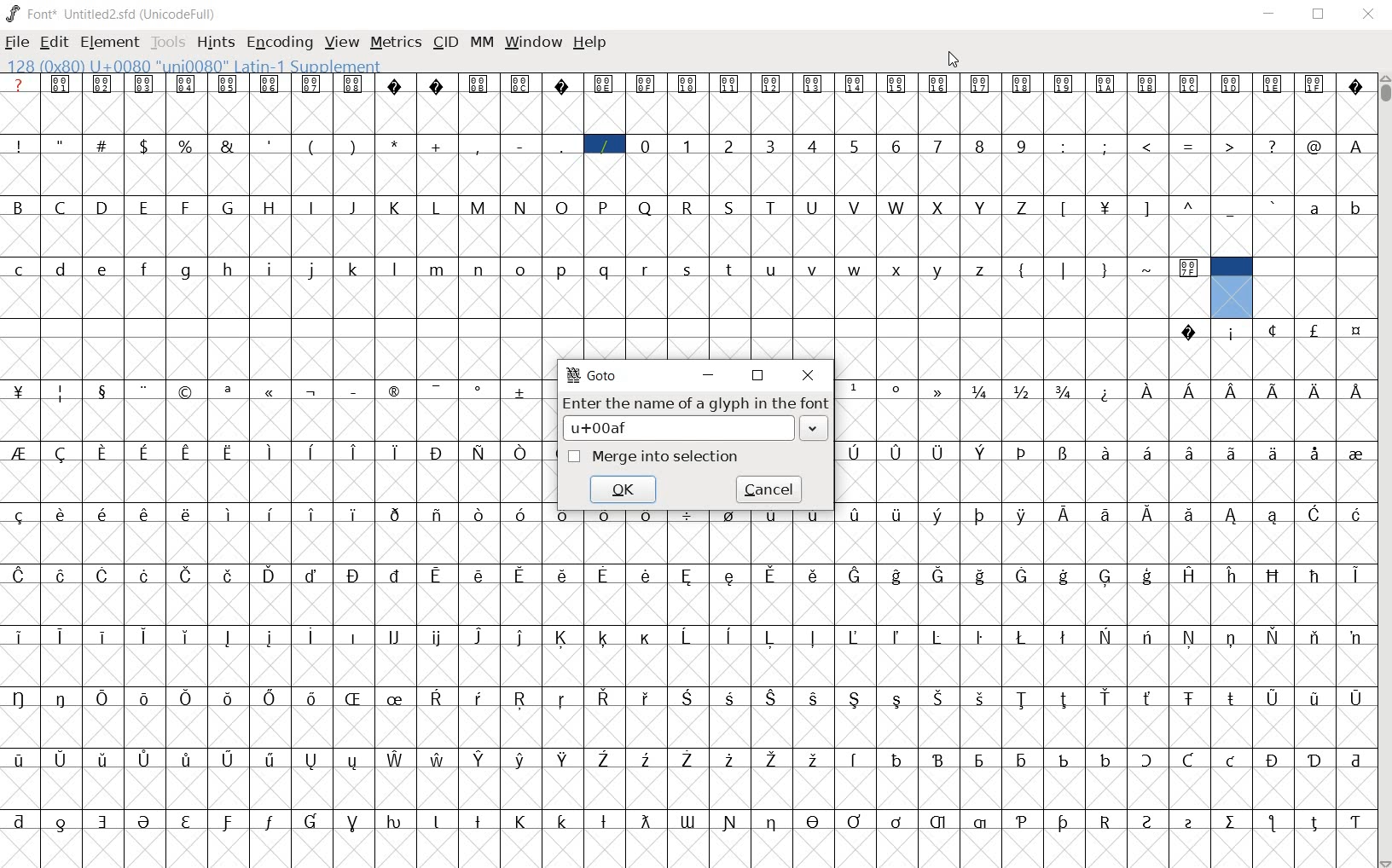 Image resolution: width=1392 pixels, height=868 pixels. I want to click on Symbol, so click(62, 454).